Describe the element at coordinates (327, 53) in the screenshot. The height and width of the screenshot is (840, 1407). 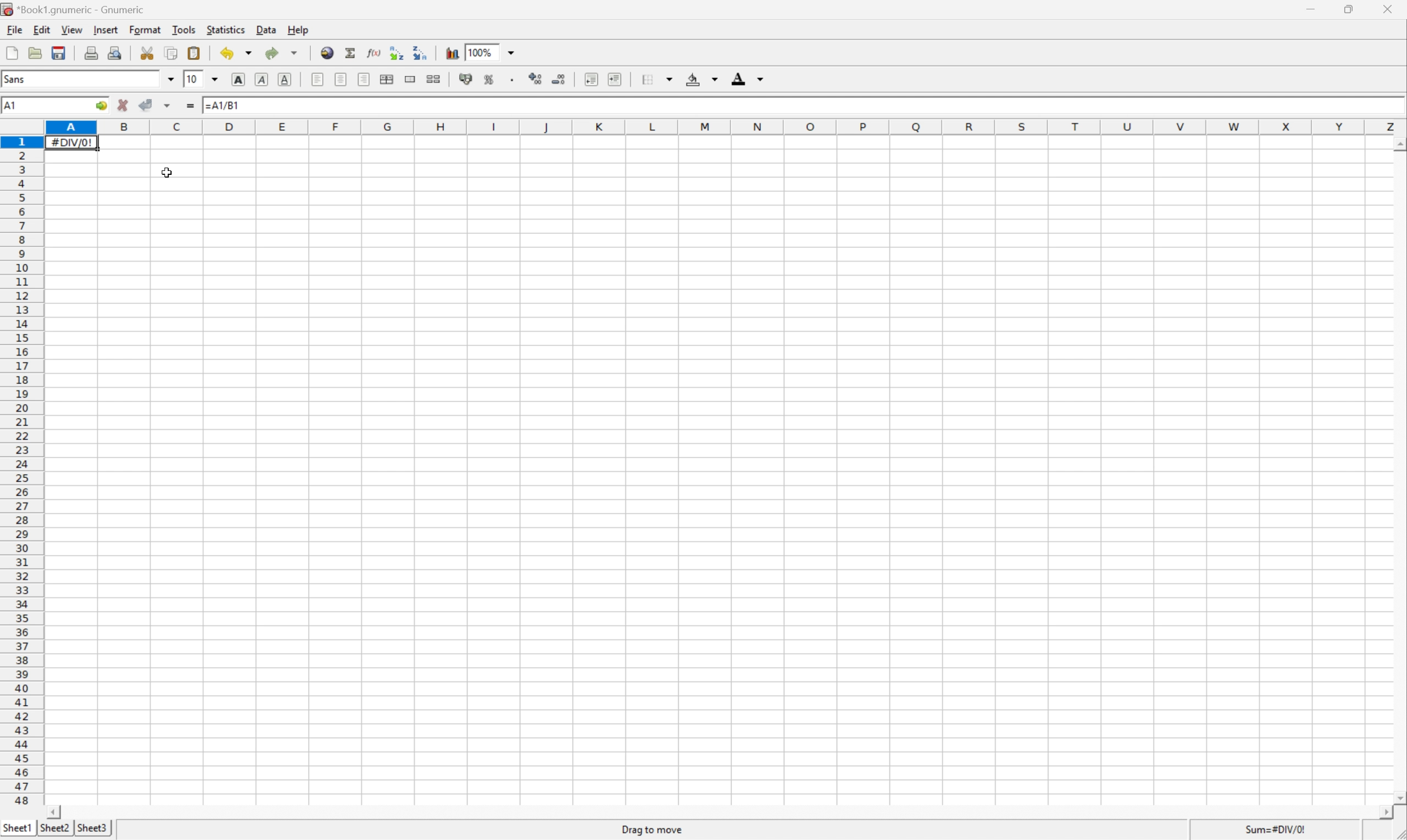
I see `Insert a hyperlink` at that location.